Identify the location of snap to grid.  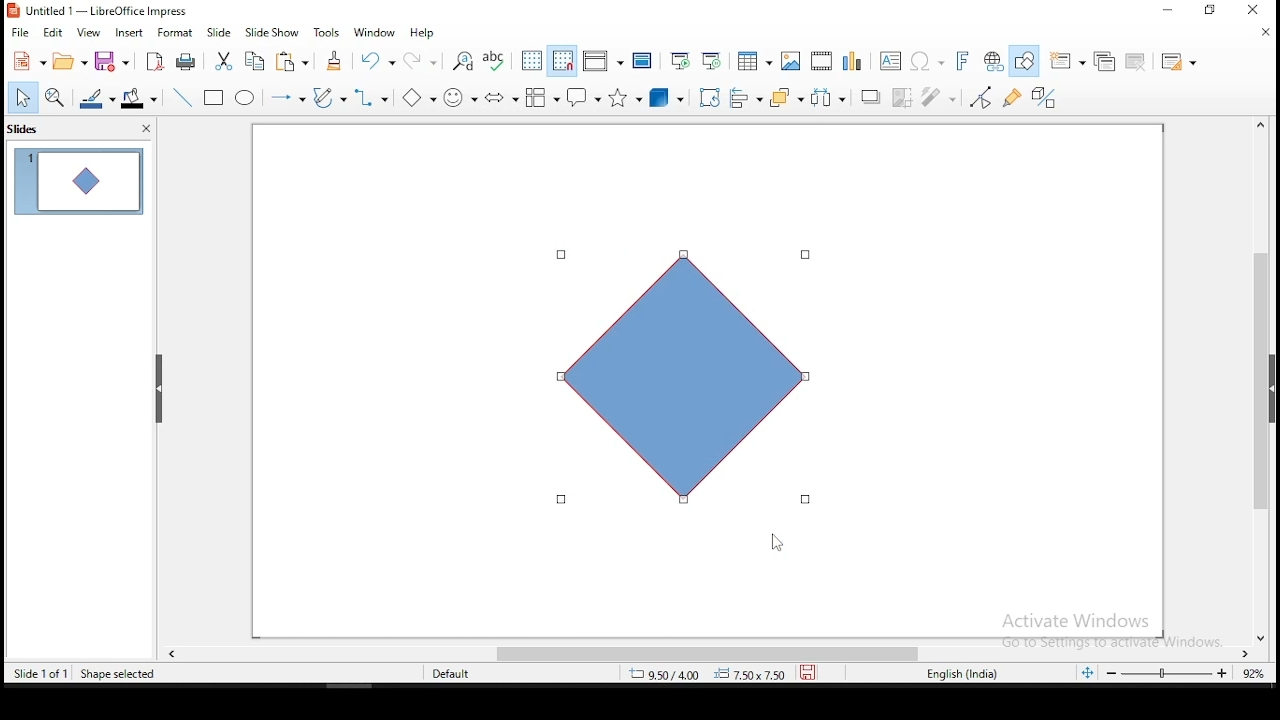
(563, 60).